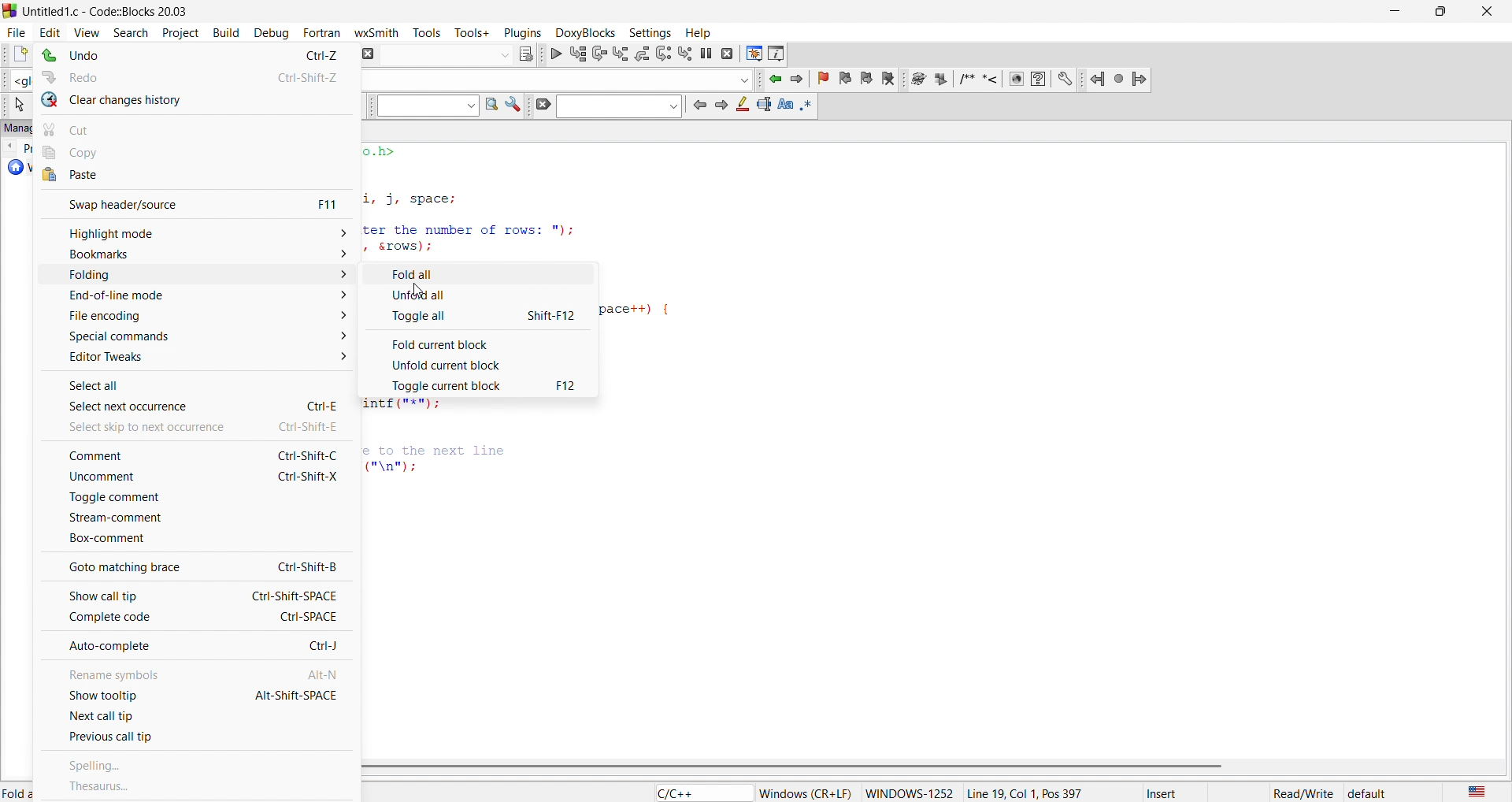  What do you see at coordinates (1436, 13) in the screenshot?
I see `maximize/restore` at bounding box center [1436, 13].